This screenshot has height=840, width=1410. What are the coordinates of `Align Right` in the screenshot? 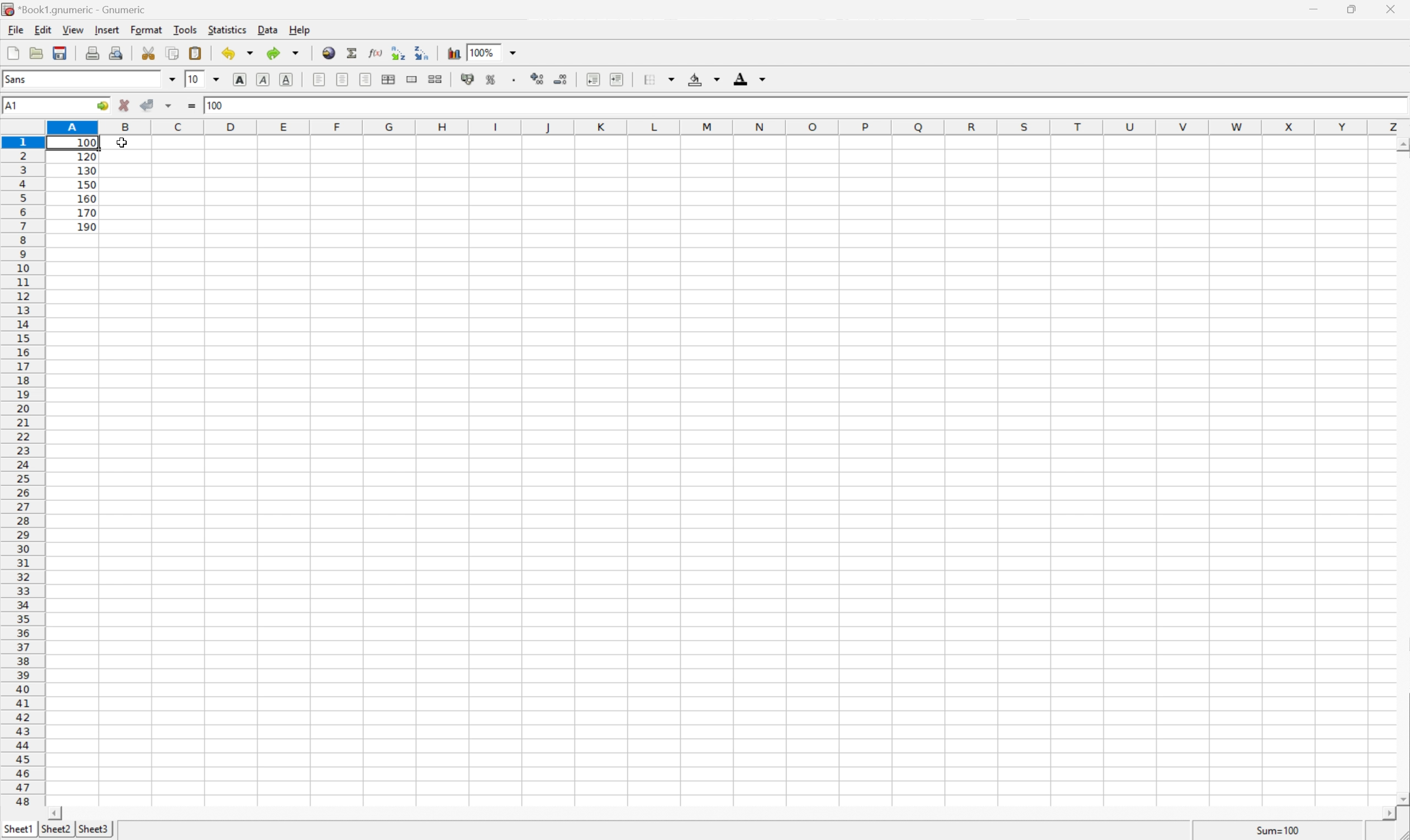 It's located at (366, 79).